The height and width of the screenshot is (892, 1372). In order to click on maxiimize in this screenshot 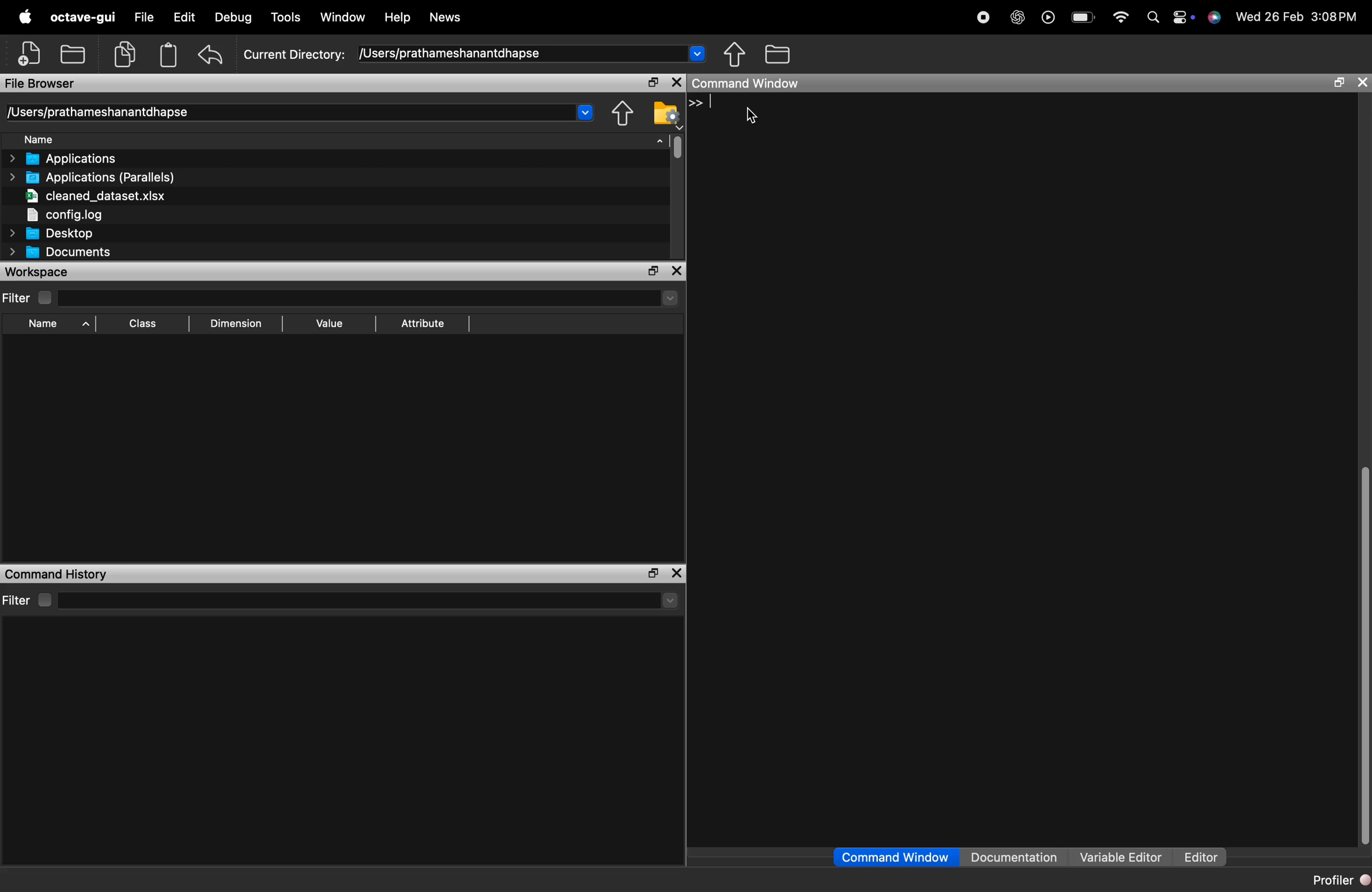, I will do `click(652, 271)`.